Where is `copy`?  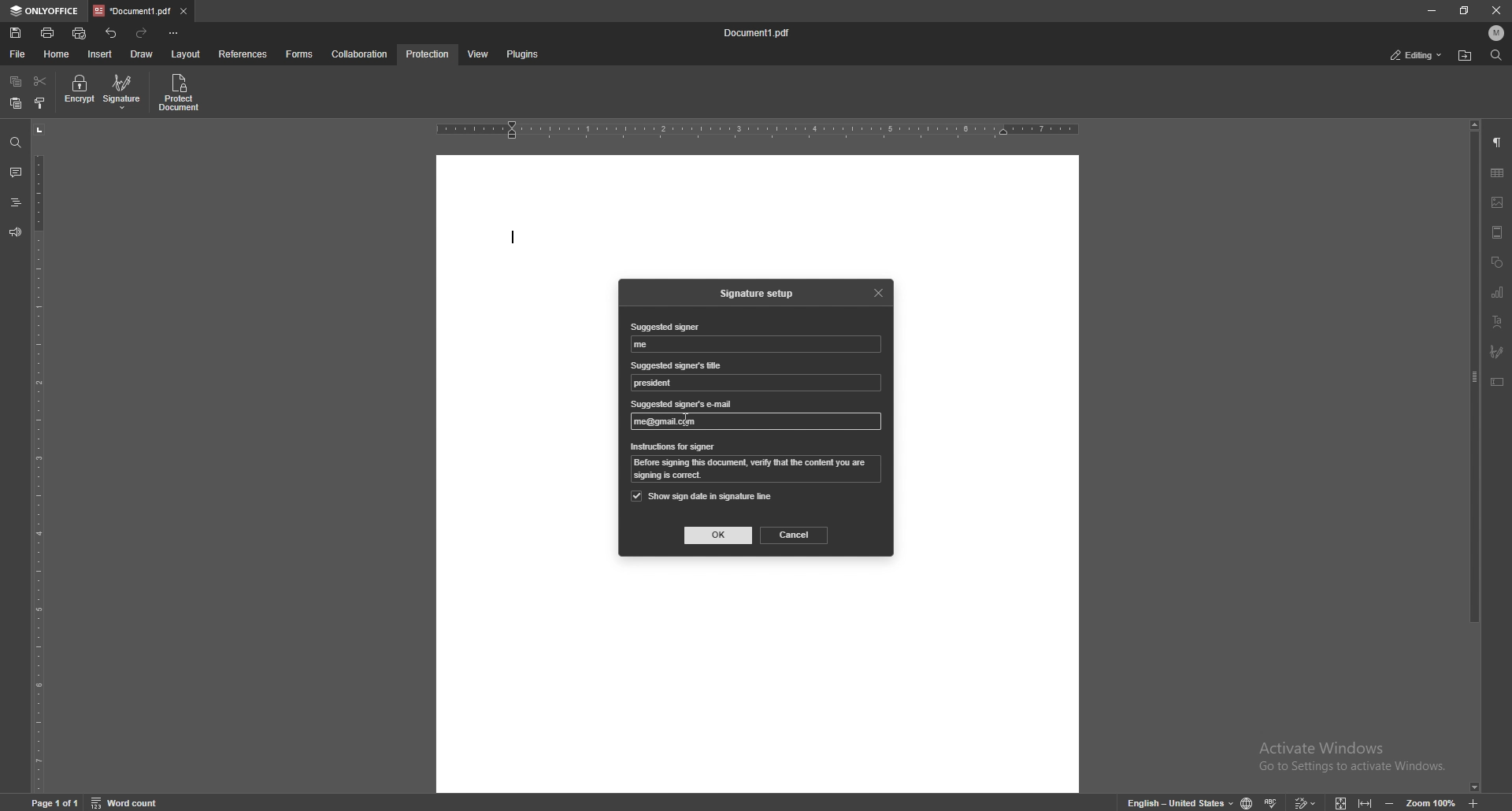 copy is located at coordinates (16, 82).